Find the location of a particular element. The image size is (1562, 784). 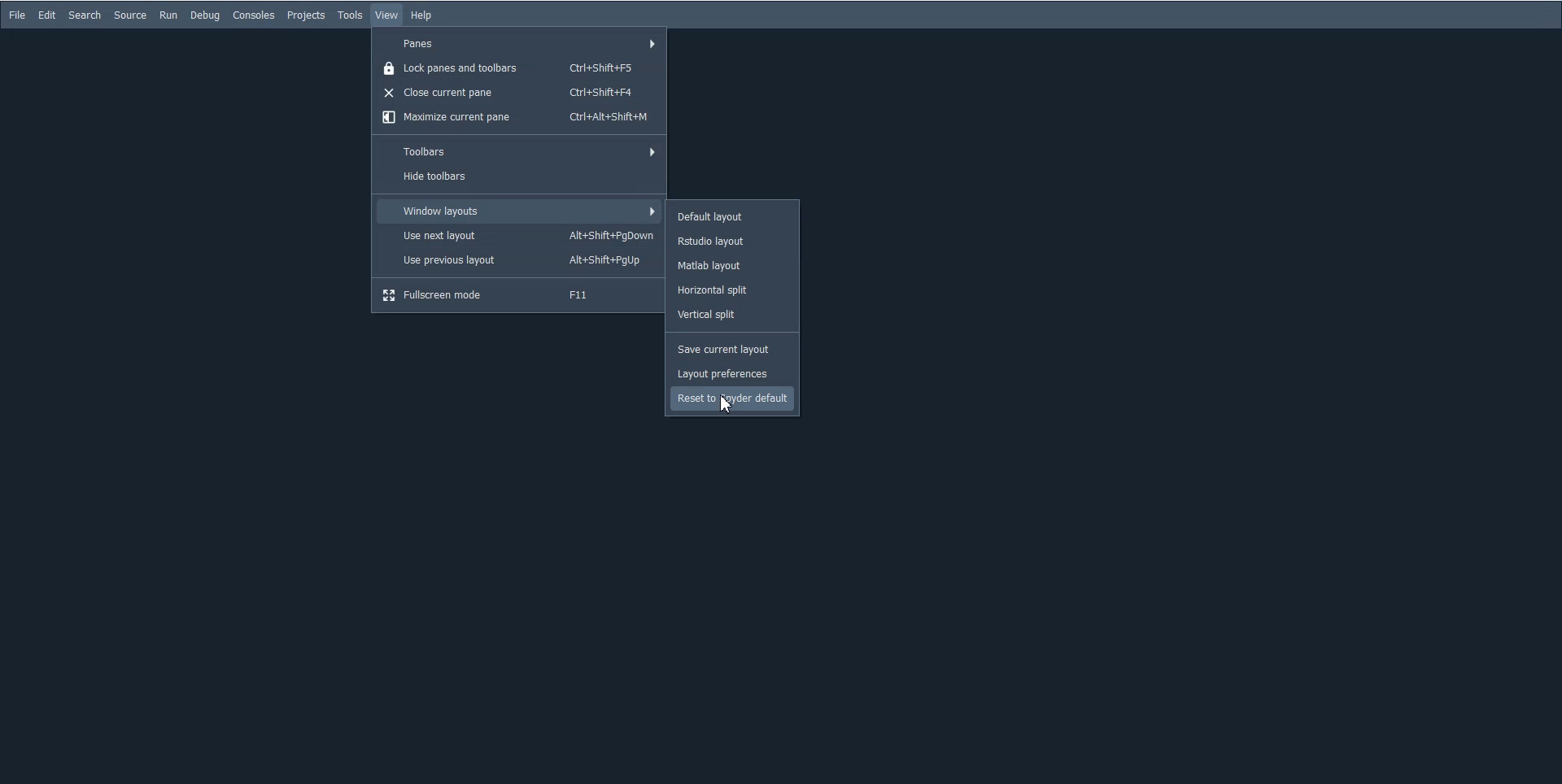

Search is located at coordinates (85, 15).